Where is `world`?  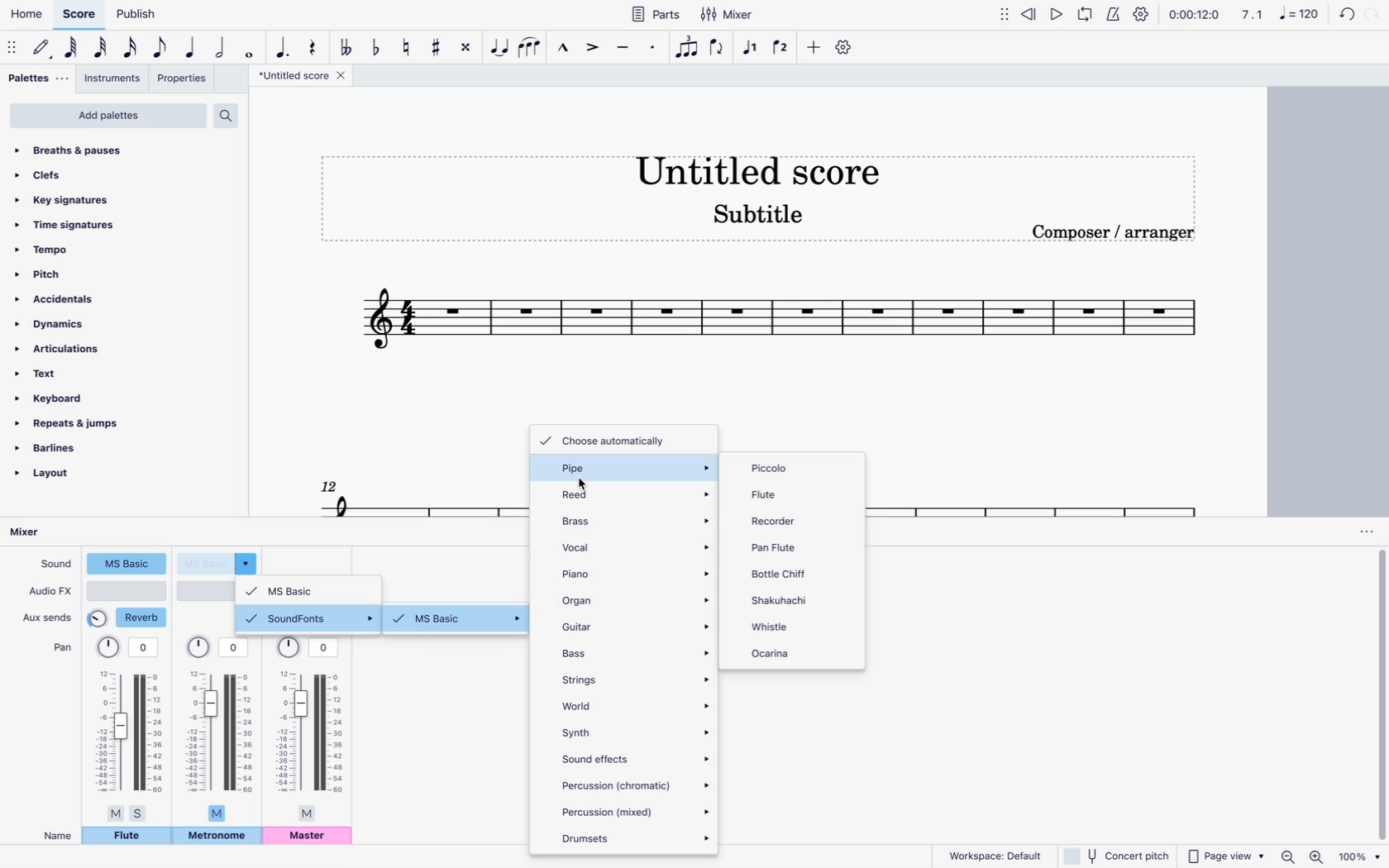 world is located at coordinates (637, 703).